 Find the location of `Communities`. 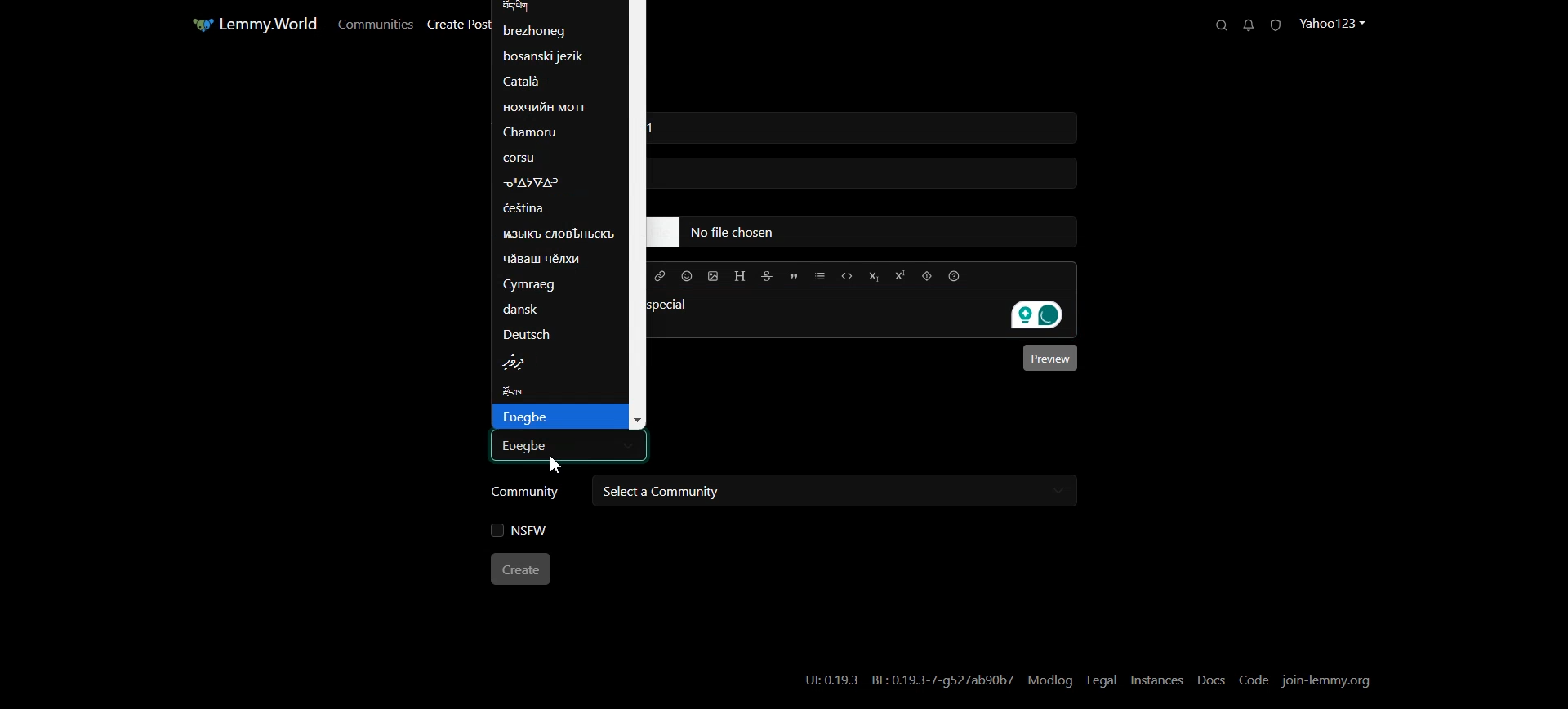

Communities is located at coordinates (373, 24).